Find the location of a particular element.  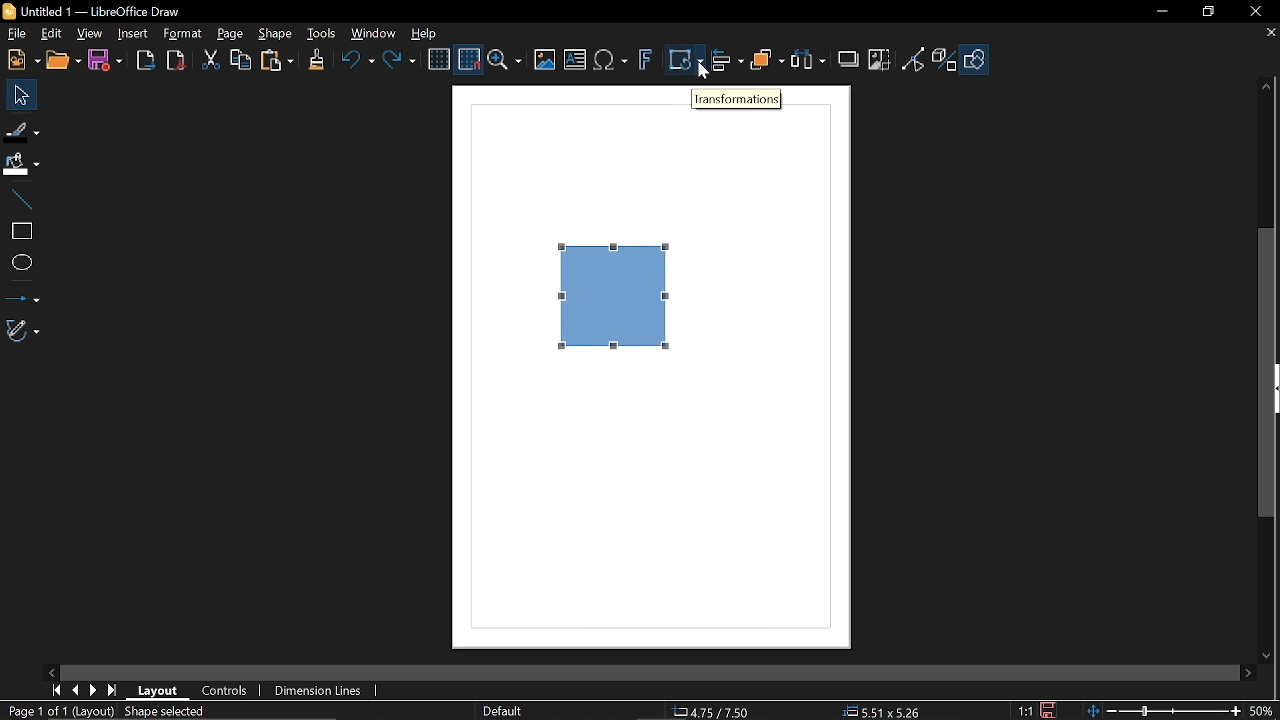

Lines and arrows is located at coordinates (22, 296).